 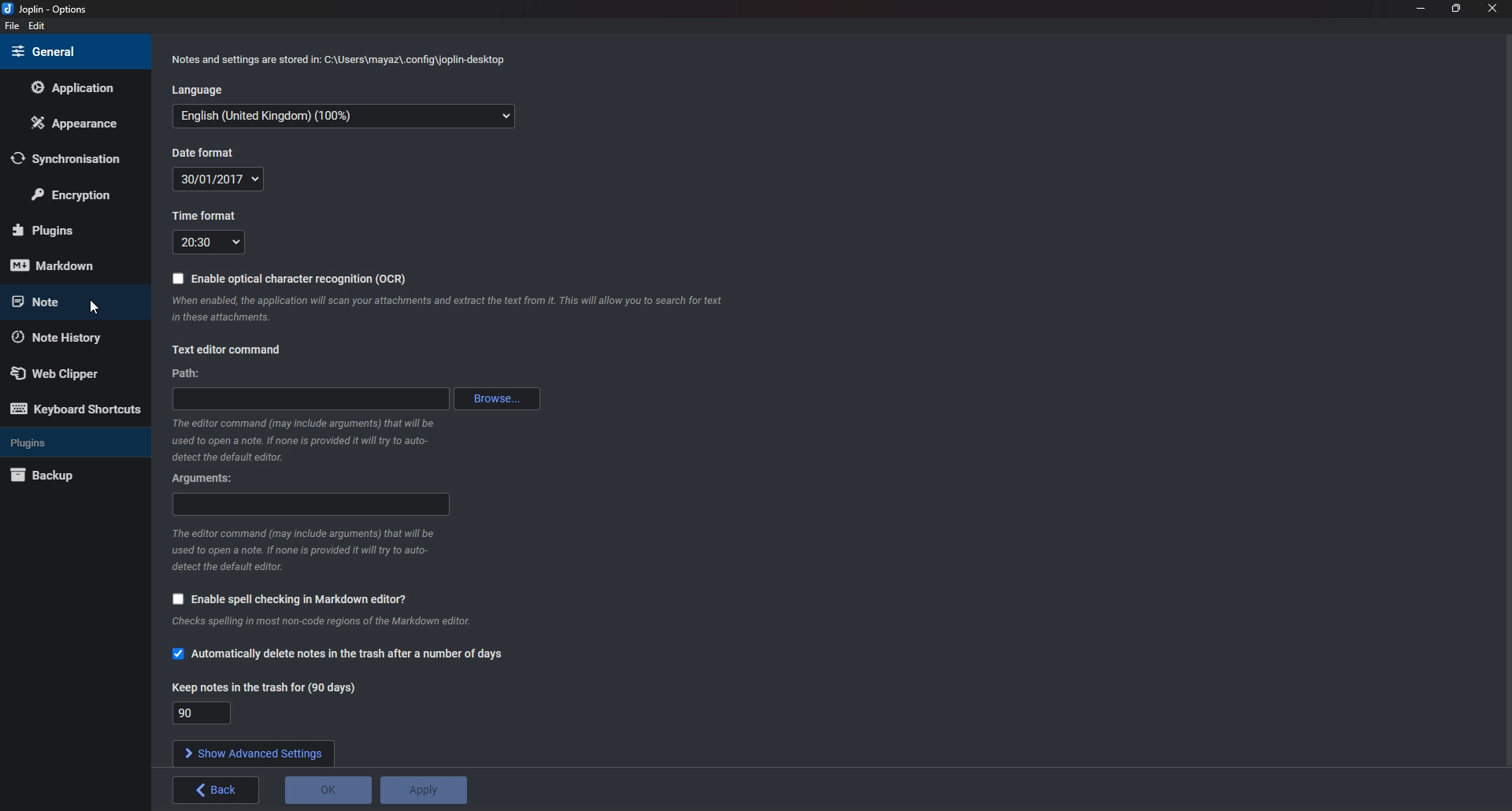 What do you see at coordinates (63, 265) in the screenshot?
I see `Mark down` at bounding box center [63, 265].